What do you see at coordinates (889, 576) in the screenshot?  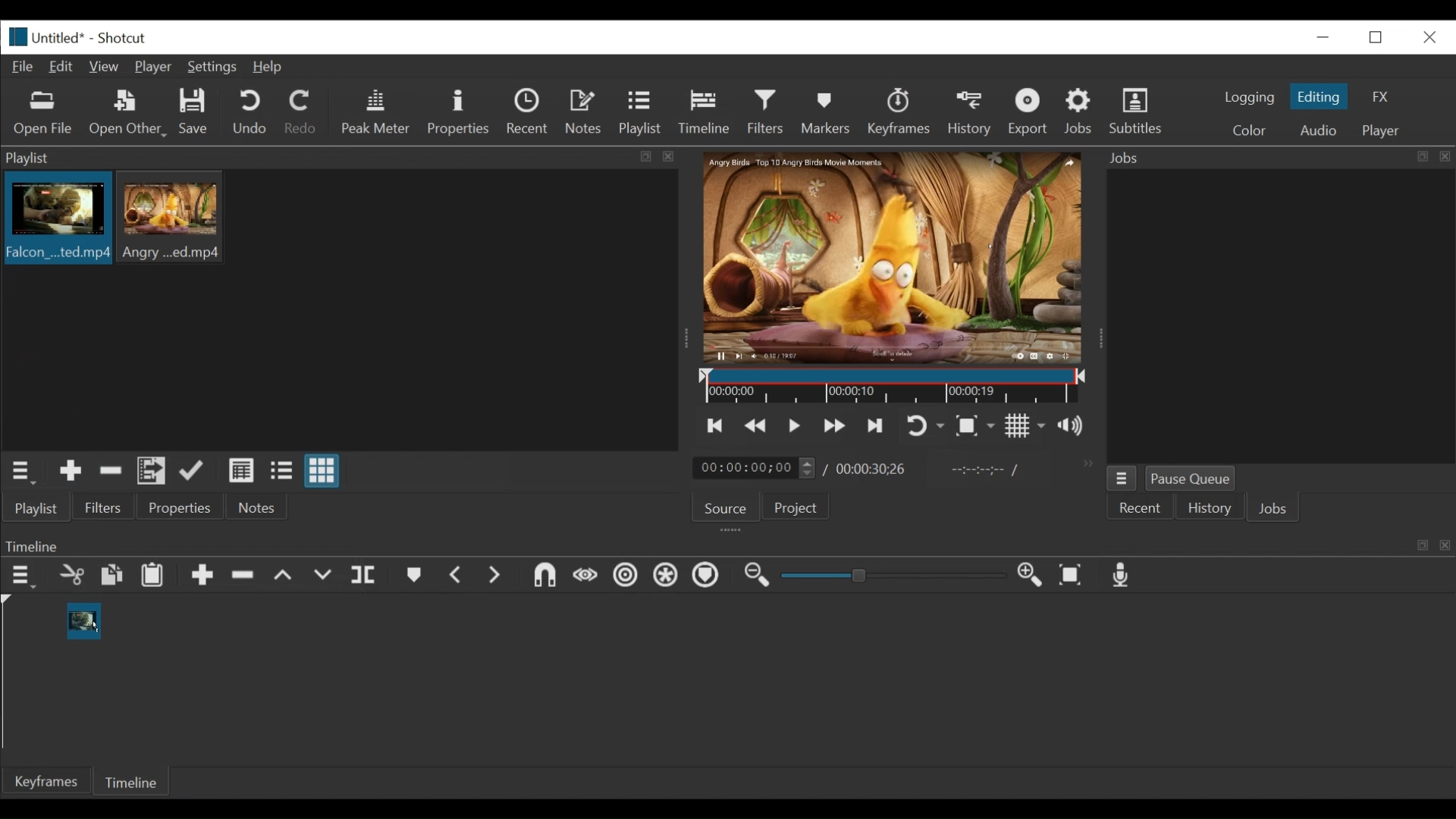 I see `slider` at bounding box center [889, 576].